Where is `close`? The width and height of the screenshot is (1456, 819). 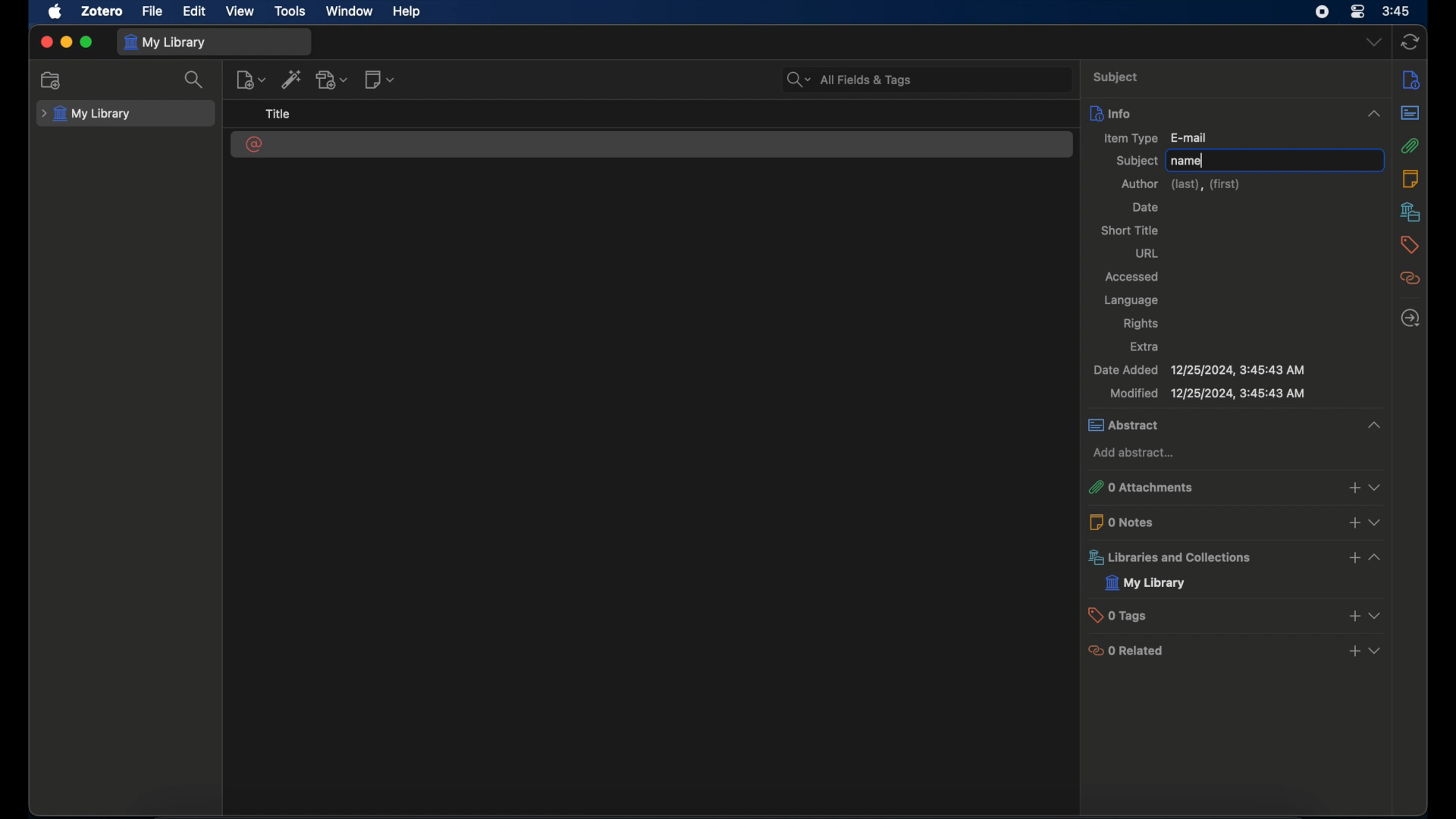 close is located at coordinates (45, 42).